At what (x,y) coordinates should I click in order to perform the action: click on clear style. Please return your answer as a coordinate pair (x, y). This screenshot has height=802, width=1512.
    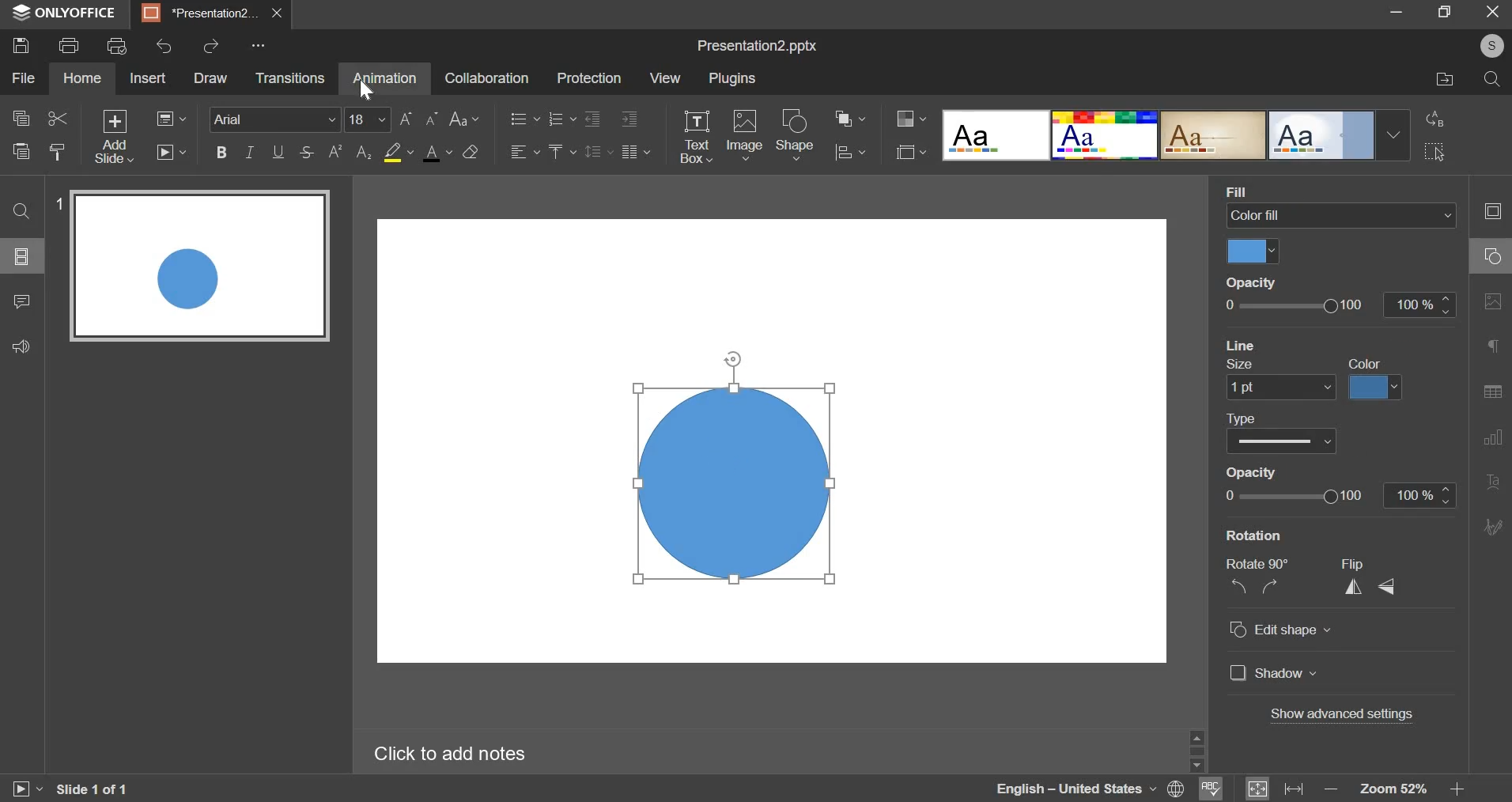
    Looking at the image, I should click on (471, 153).